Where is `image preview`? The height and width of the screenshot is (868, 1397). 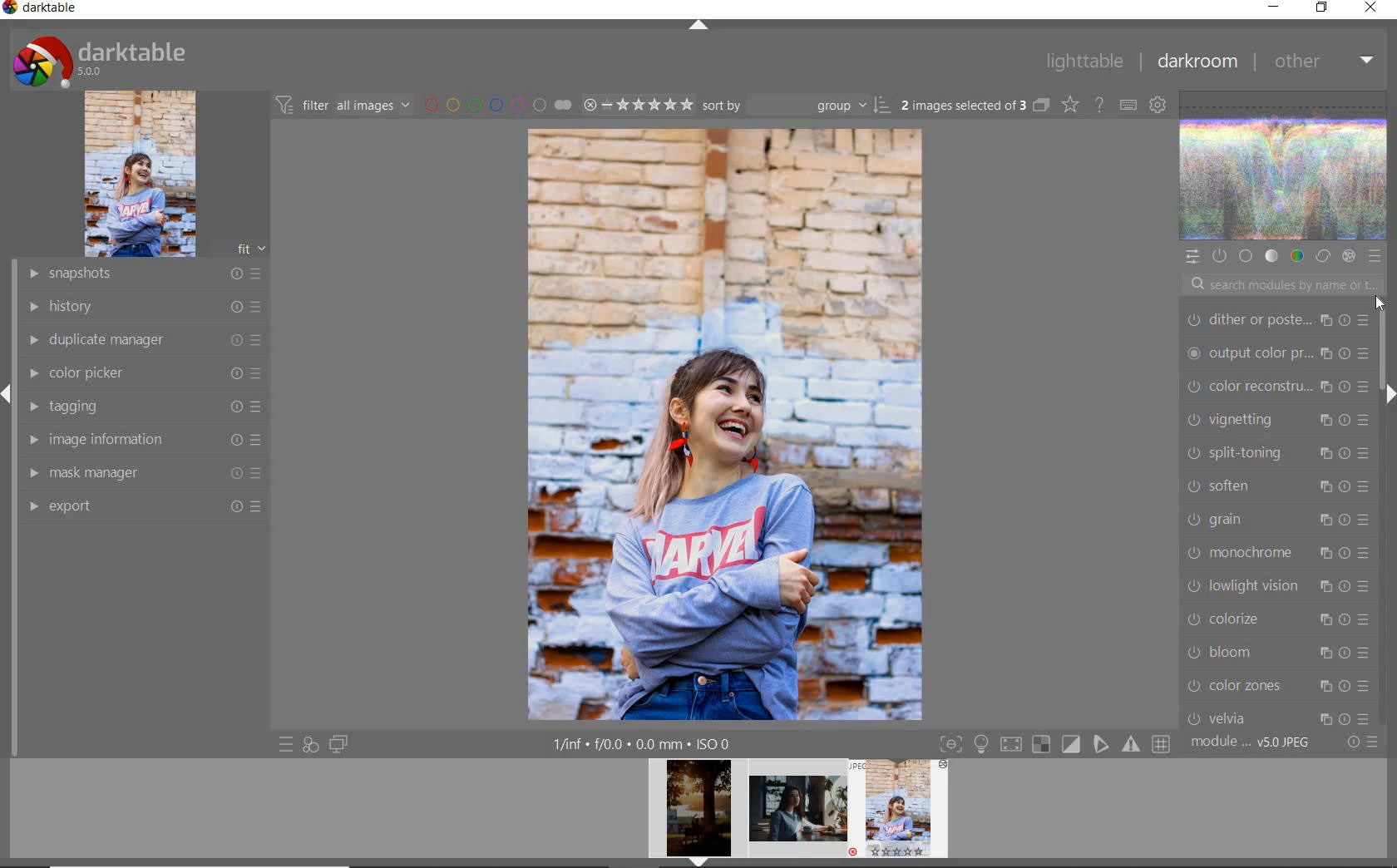
image preview is located at coordinates (694, 813).